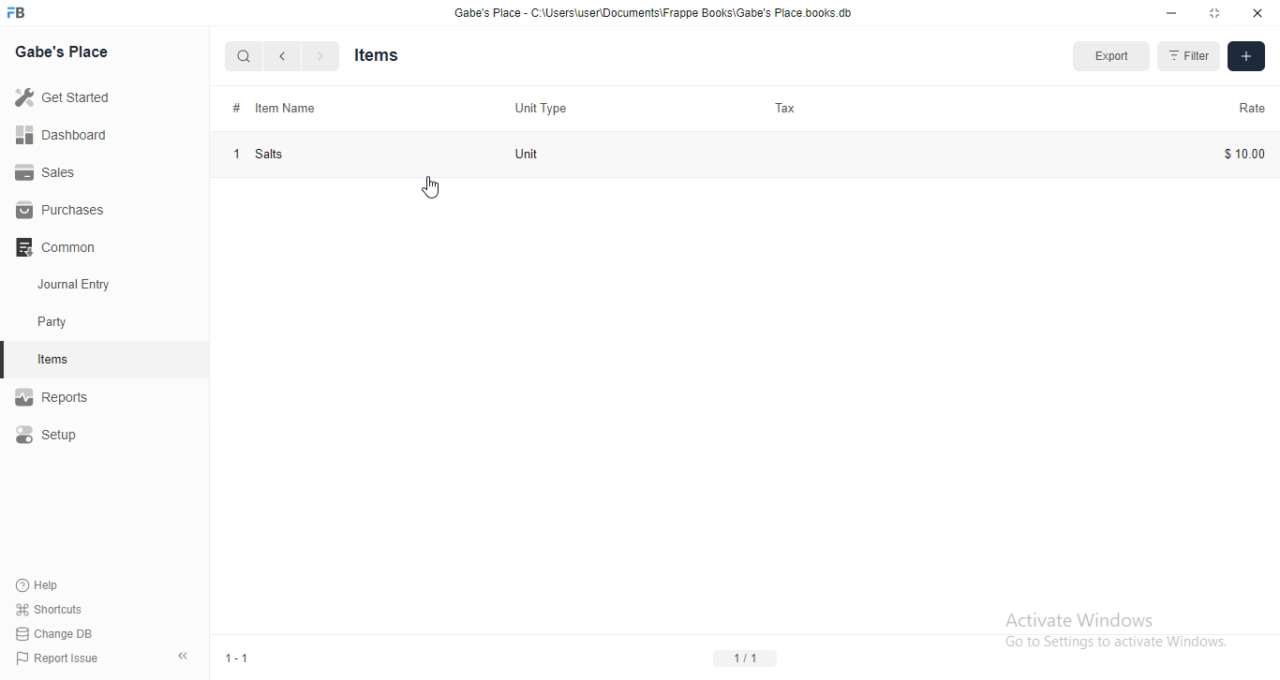 The image size is (1280, 680). Describe the element at coordinates (46, 585) in the screenshot. I see `Help` at that location.